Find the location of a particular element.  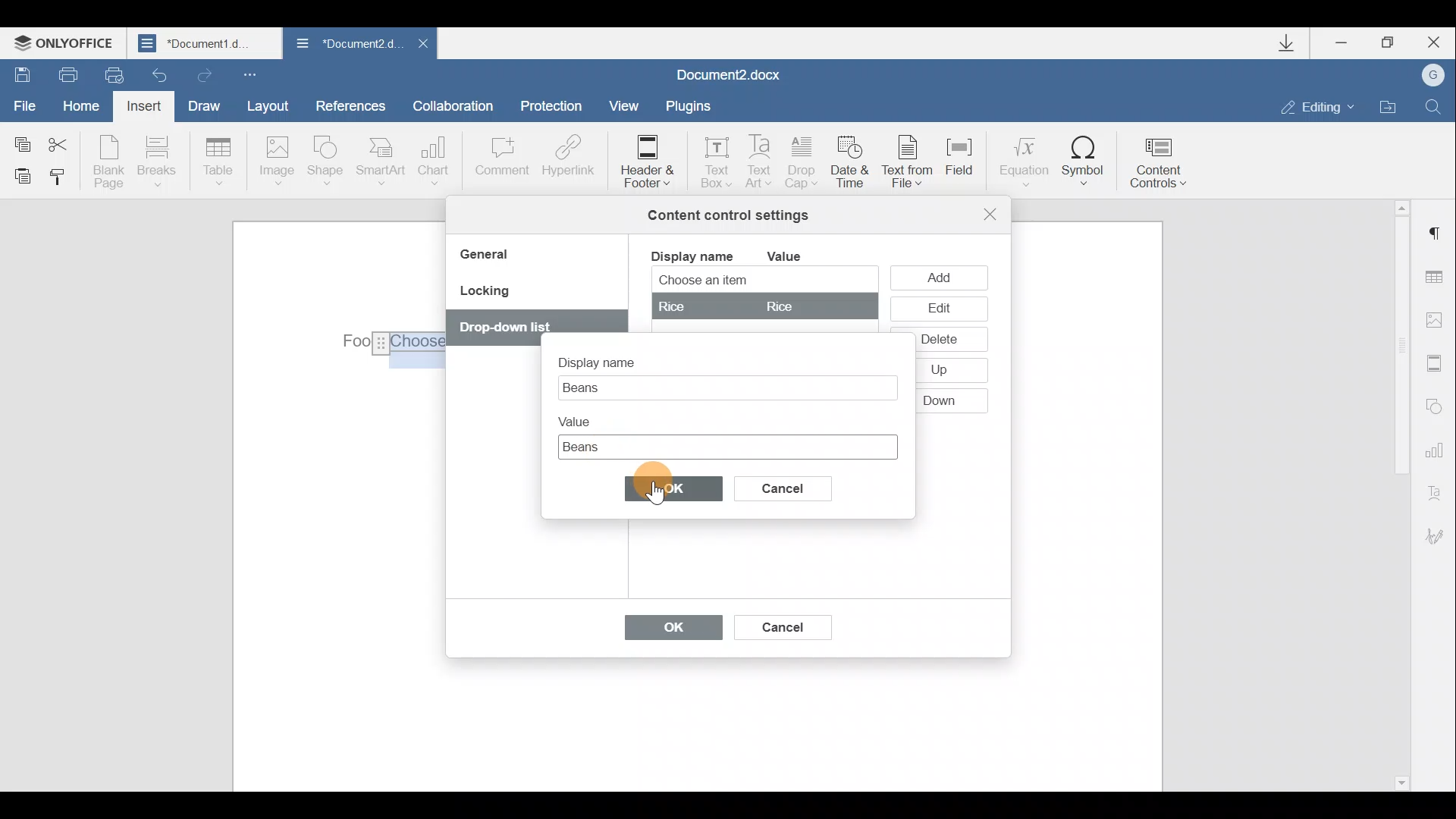

Open file location is located at coordinates (1388, 105).